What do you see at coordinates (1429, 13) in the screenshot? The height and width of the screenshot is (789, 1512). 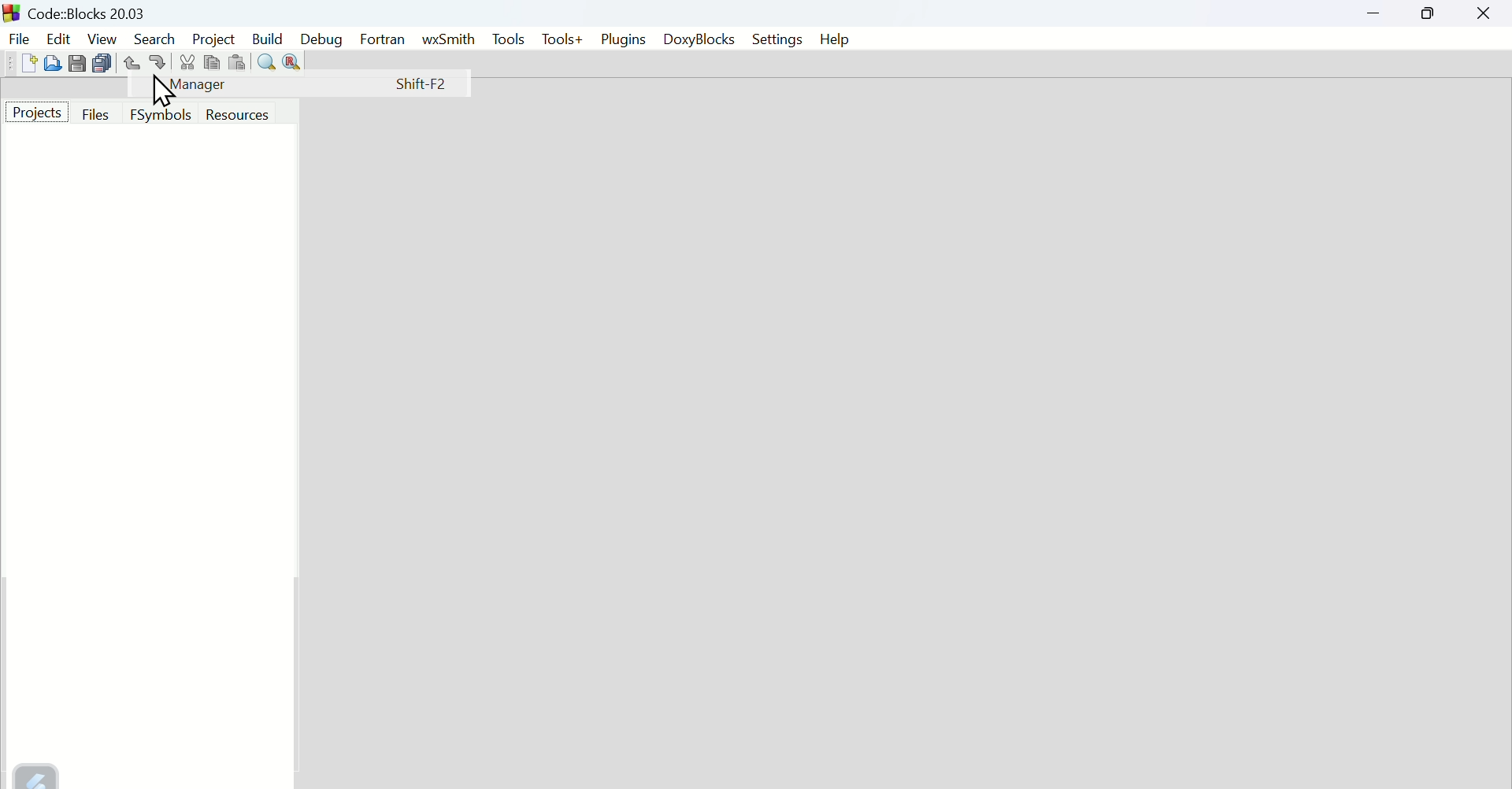 I see `Maximize` at bounding box center [1429, 13].